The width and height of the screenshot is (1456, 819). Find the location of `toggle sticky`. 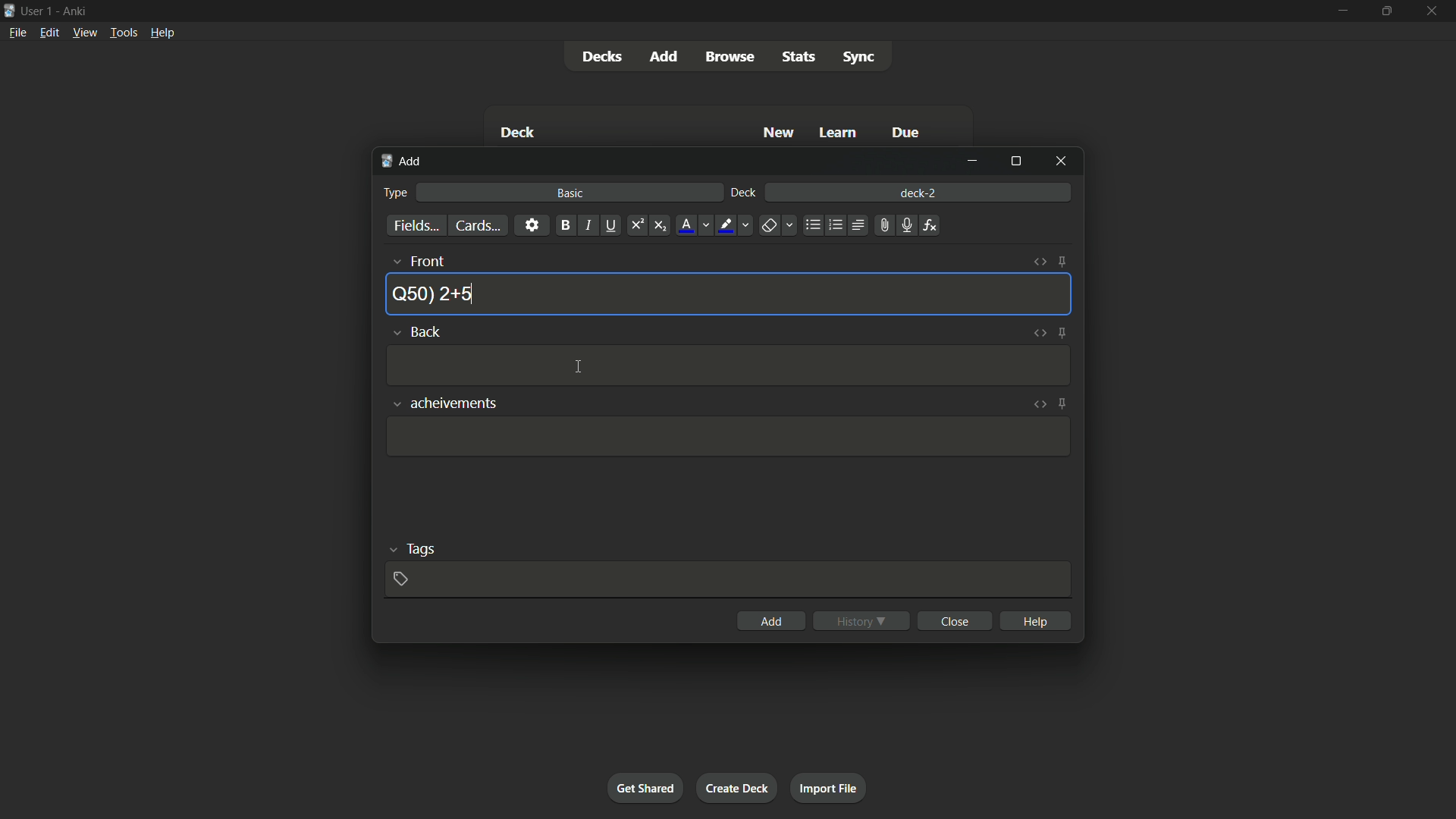

toggle sticky is located at coordinates (1062, 404).